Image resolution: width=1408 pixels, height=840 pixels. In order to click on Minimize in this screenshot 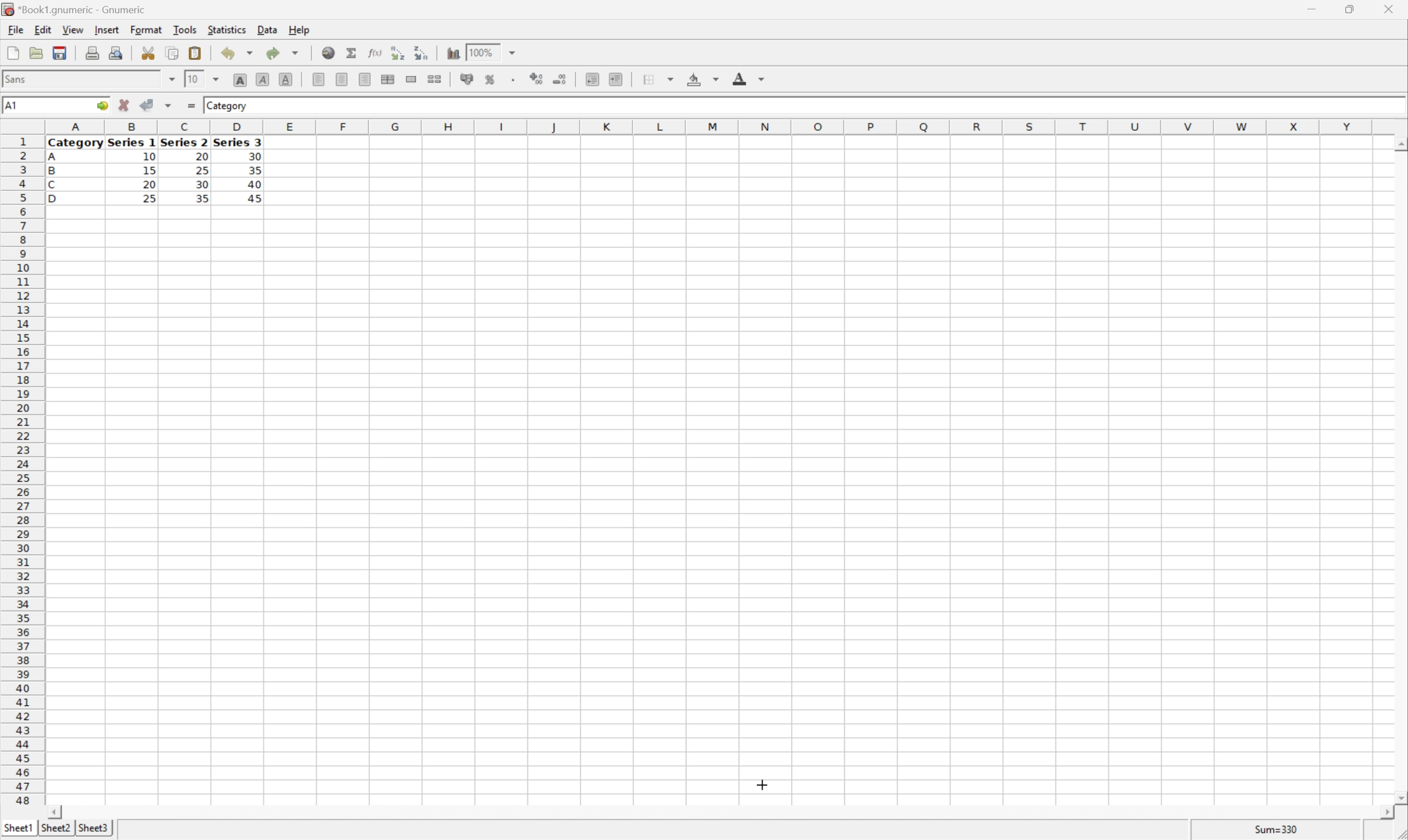, I will do `click(1308, 10)`.